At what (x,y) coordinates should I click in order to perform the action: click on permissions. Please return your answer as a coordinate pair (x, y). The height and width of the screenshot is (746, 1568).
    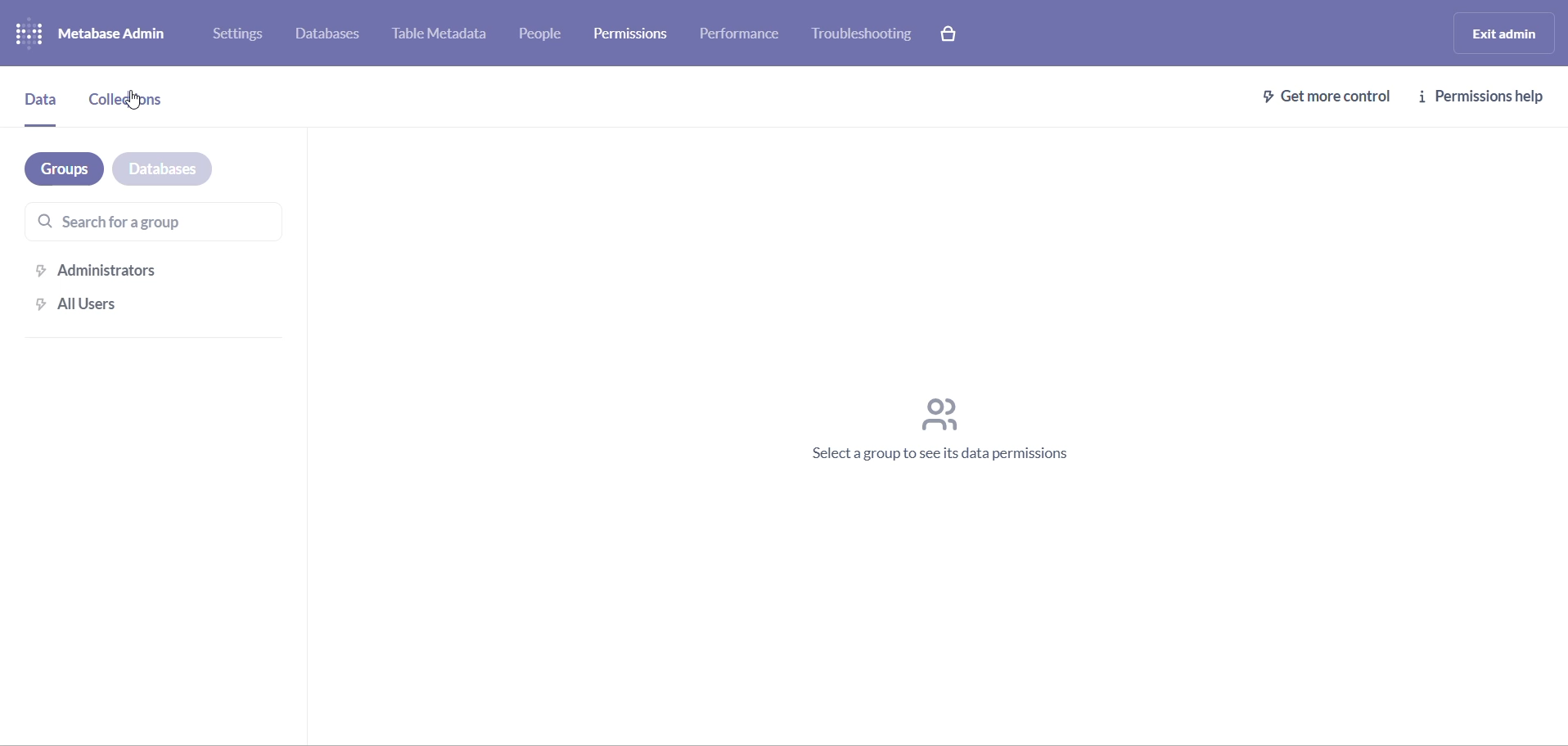
    Looking at the image, I should click on (636, 32).